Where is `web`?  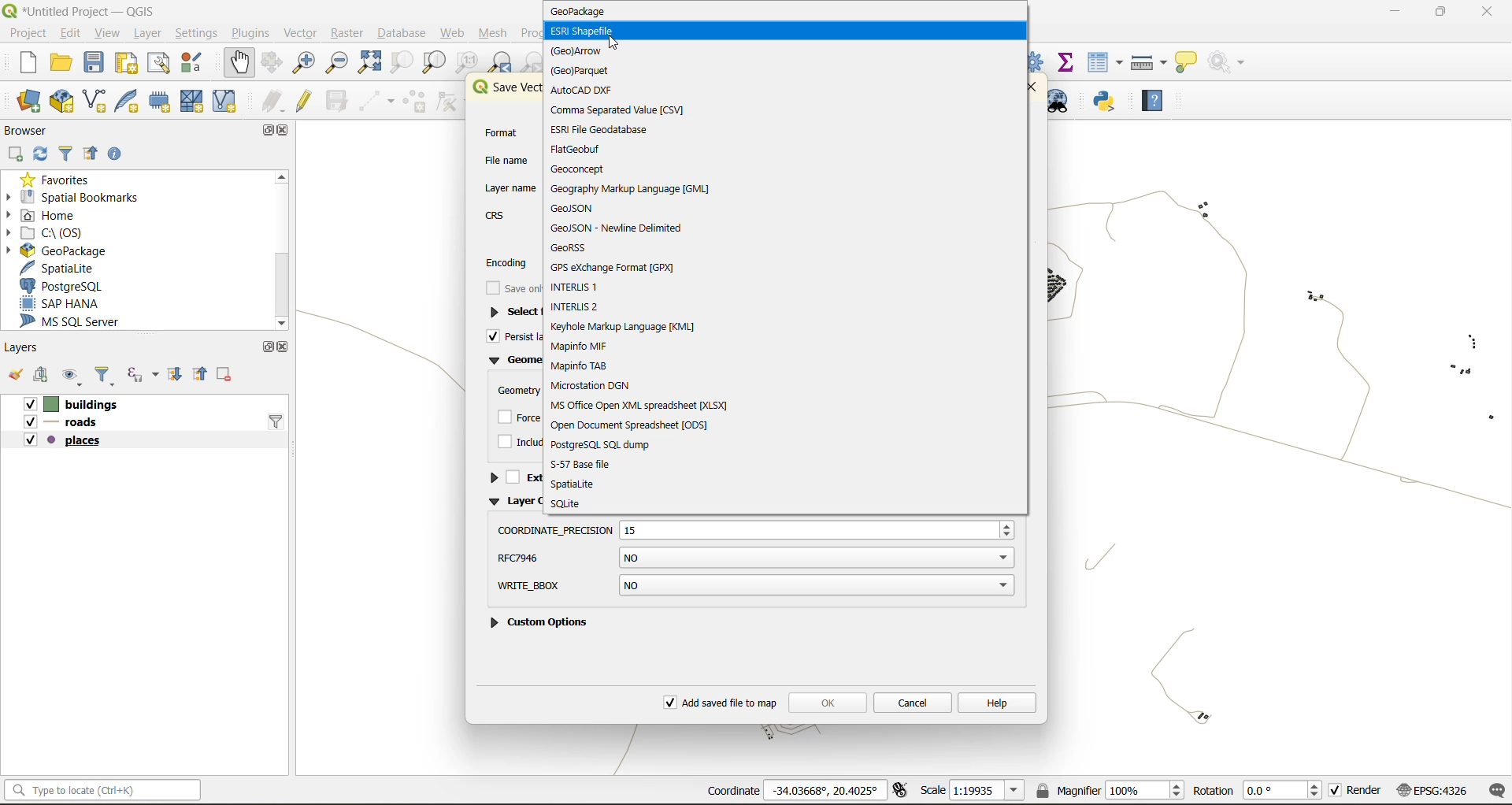 web is located at coordinates (450, 33).